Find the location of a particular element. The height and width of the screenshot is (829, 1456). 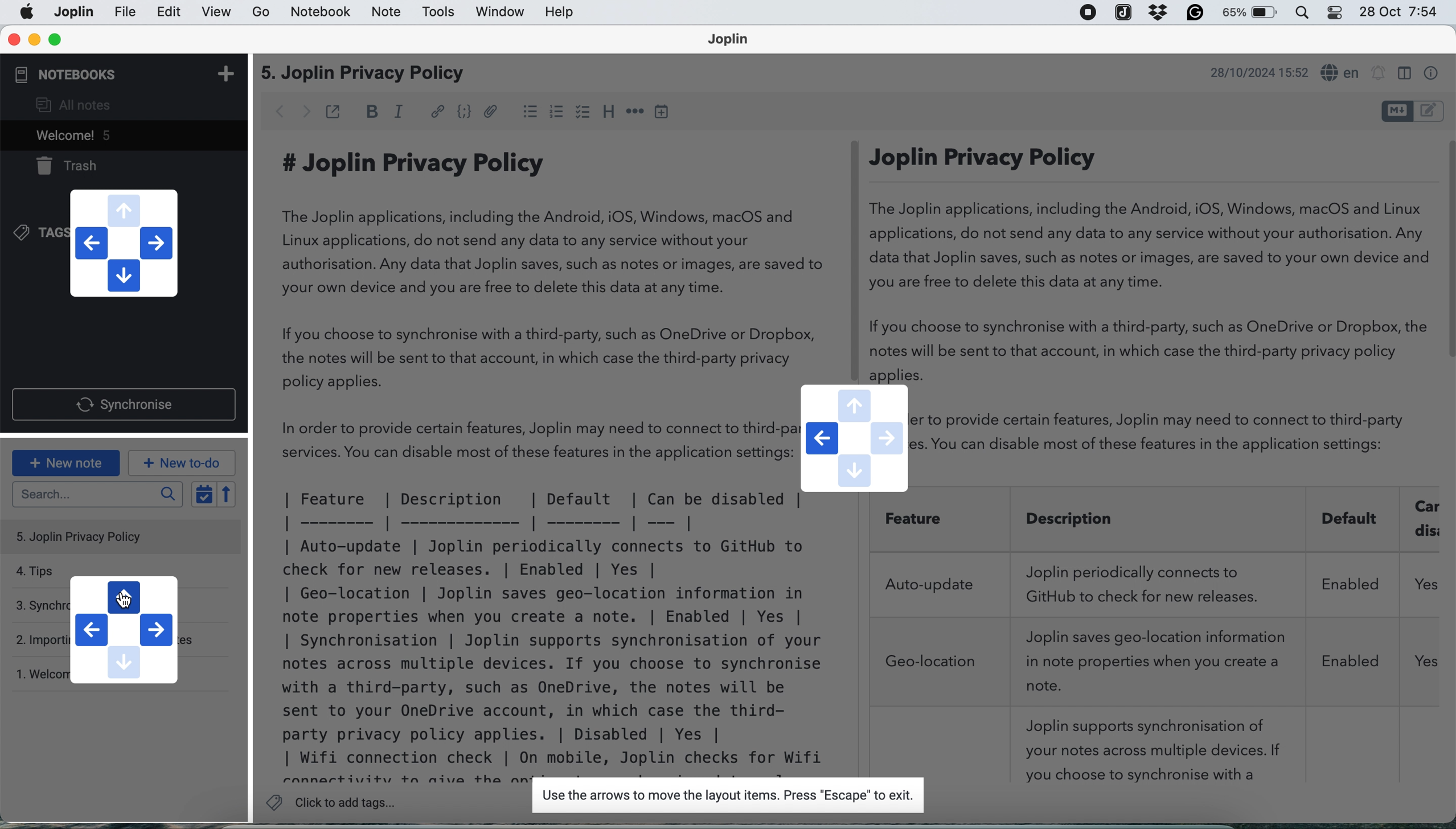

Use the arrows to move the layout items. Press "Escape" to exit. is located at coordinates (725, 796).